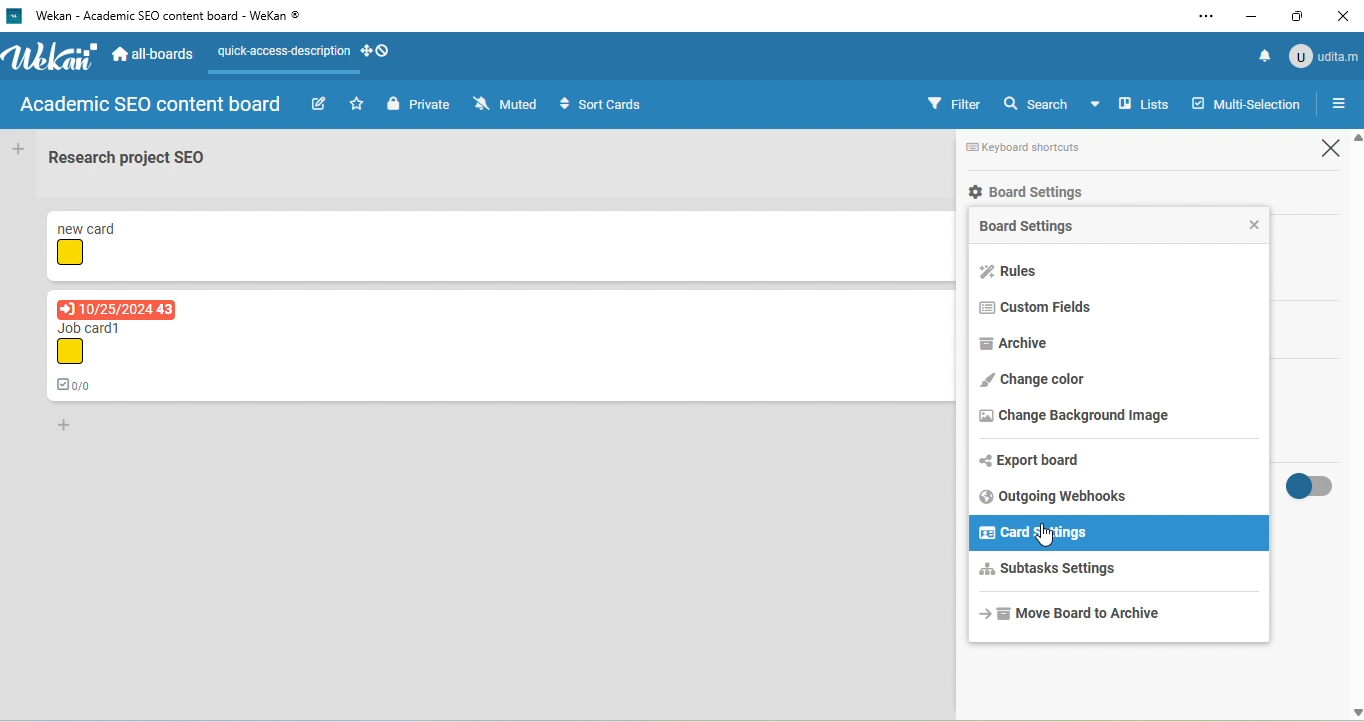  I want to click on change background image, so click(1084, 416).